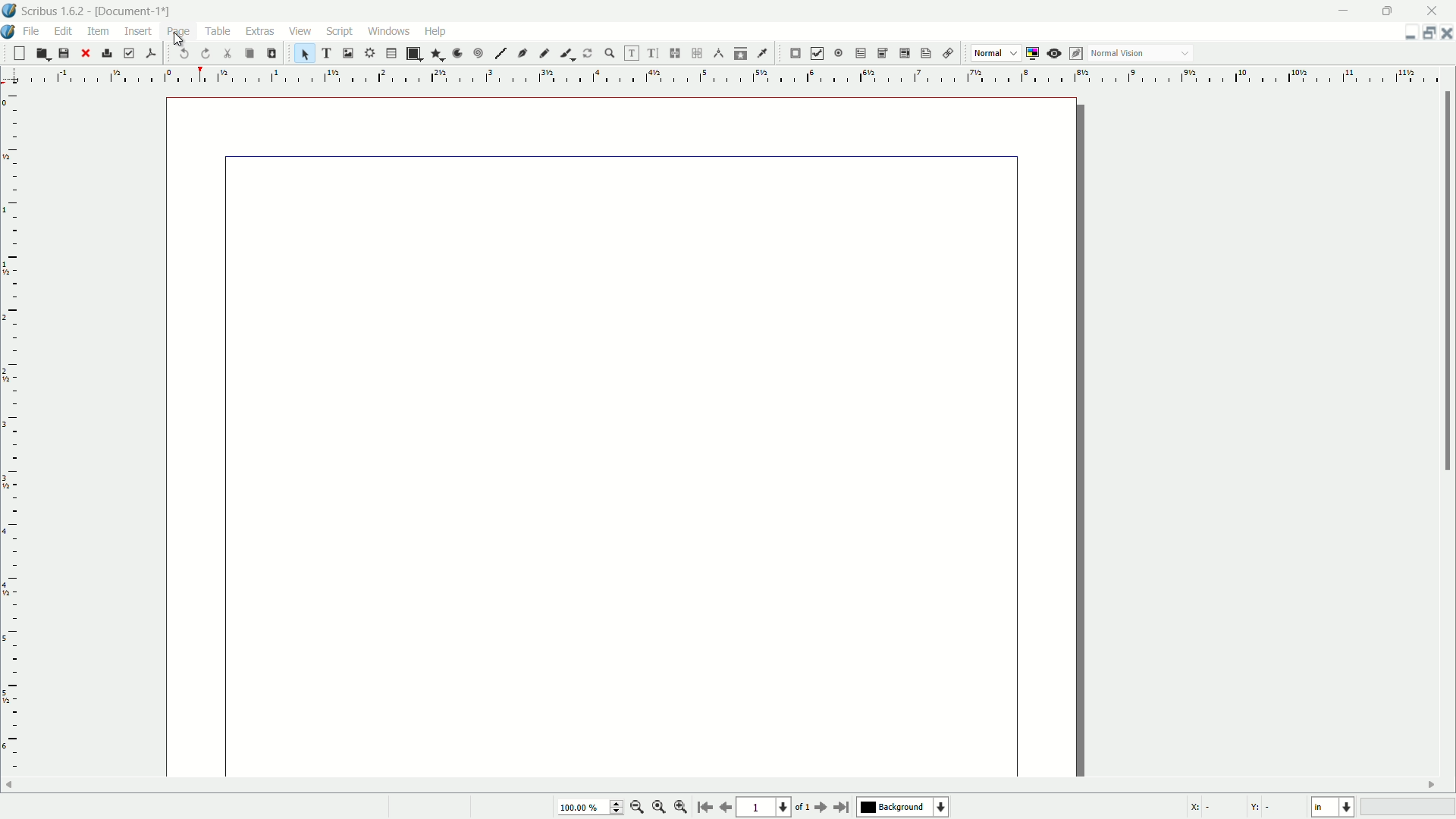 Image resolution: width=1456 pixels, height=819 pixels. What do you see at coordinates (328, 53) in the screenshot?
I see `text frame` at bounding box center [328, 53].